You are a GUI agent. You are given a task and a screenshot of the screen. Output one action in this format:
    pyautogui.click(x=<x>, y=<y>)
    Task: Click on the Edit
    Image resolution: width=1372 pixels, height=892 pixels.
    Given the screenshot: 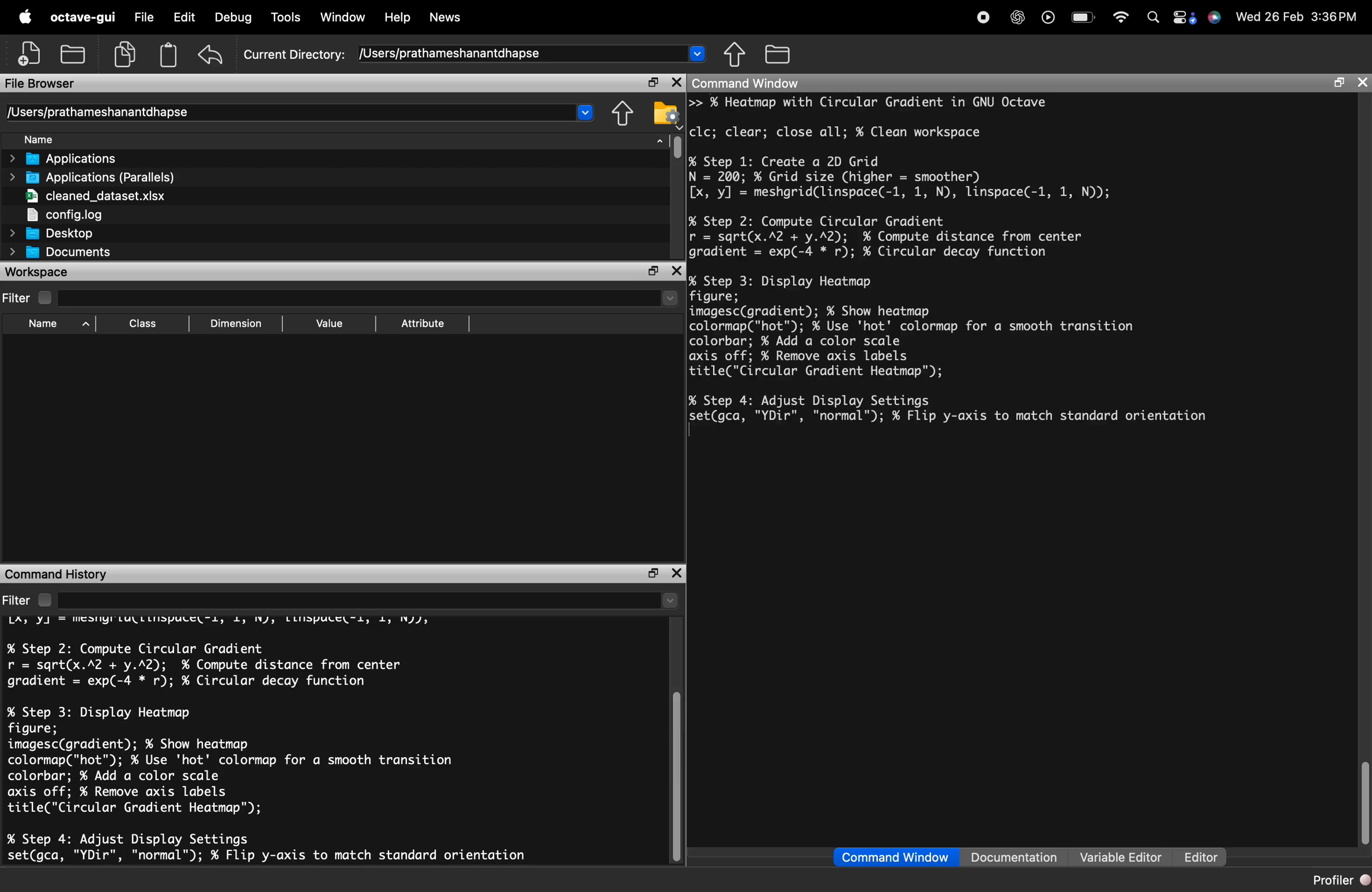 What is the action you would take?
    pyautogui.click(x=184, y=17)
    